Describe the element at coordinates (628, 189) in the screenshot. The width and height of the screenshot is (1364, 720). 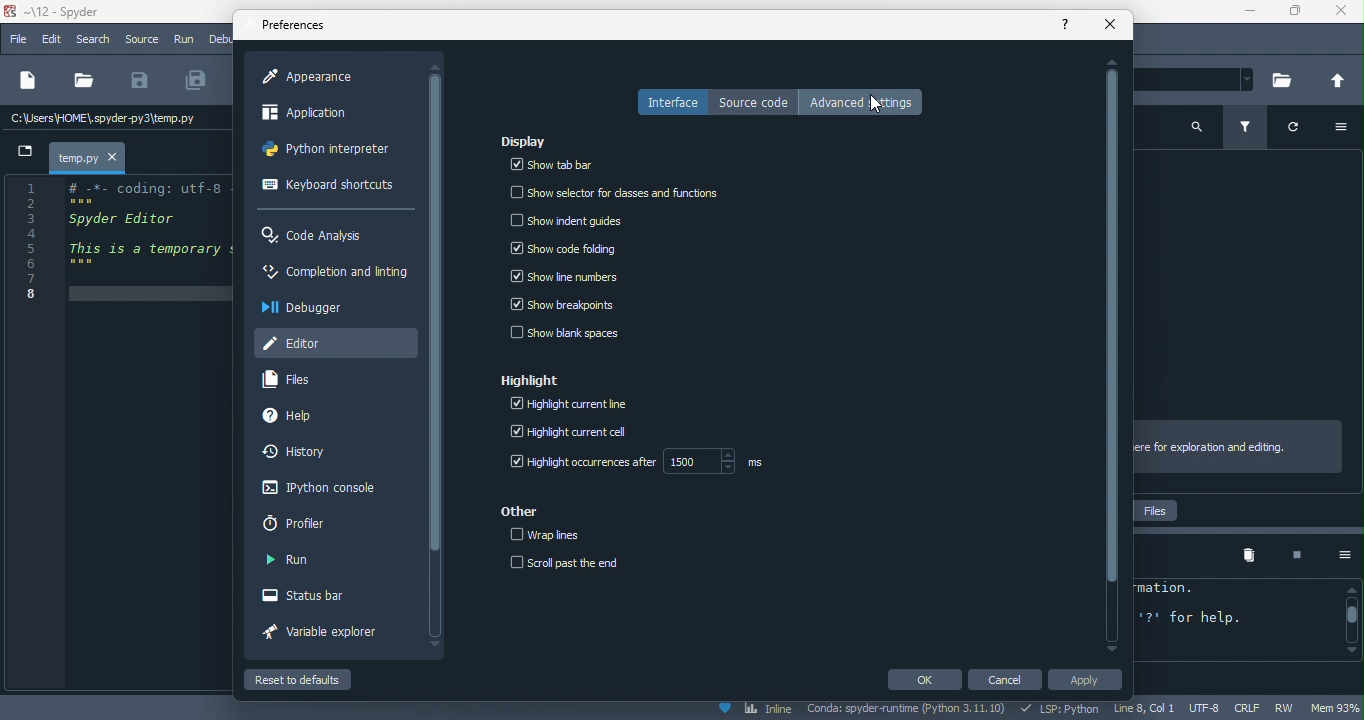
I see `show selector for classes and functions` at that location.